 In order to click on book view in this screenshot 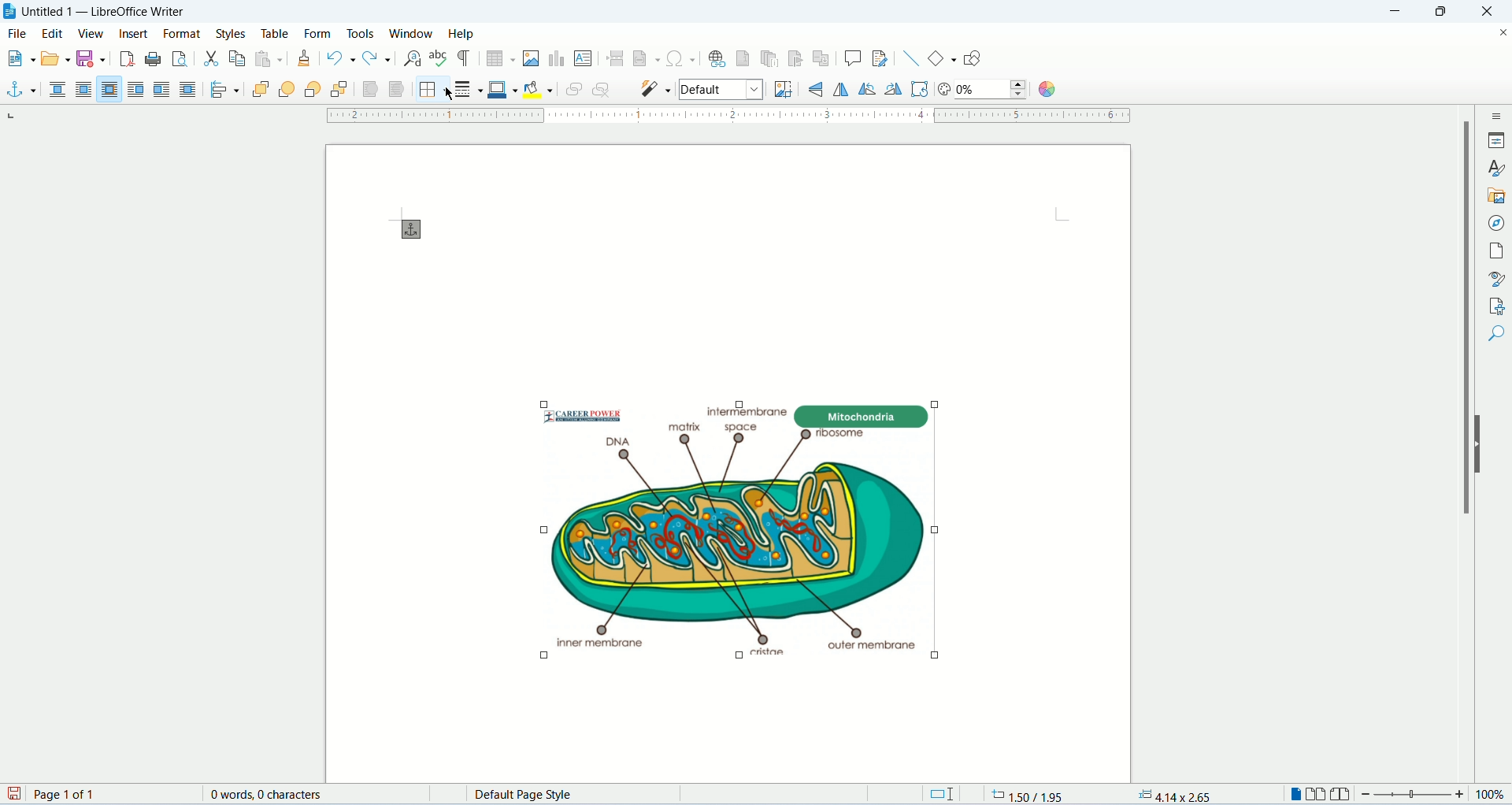, I will do `click(1340, 795)`.